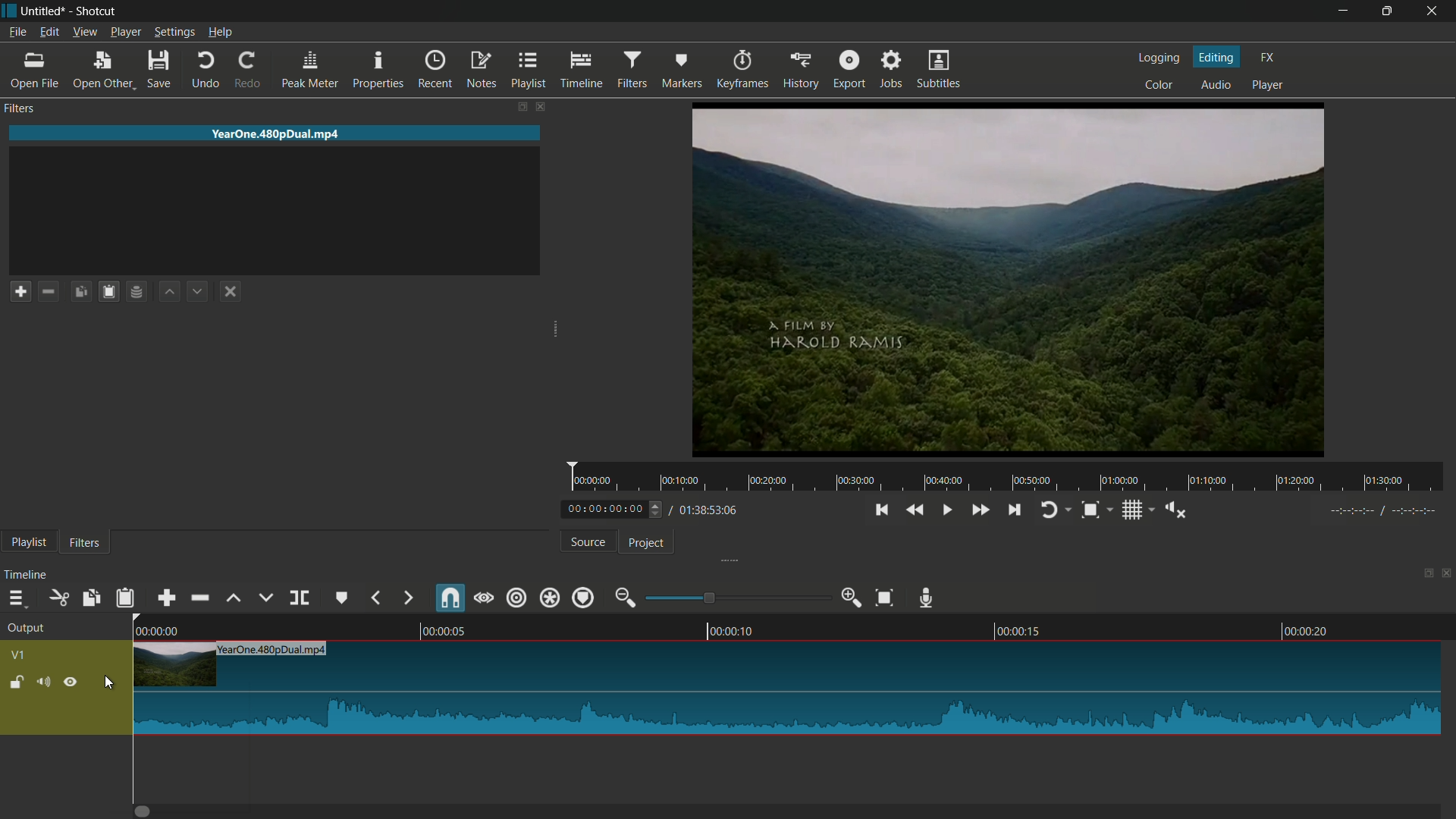  Describe the element at coordinates (1175, 508) in the screenshot. I see `show volume control` at that location.